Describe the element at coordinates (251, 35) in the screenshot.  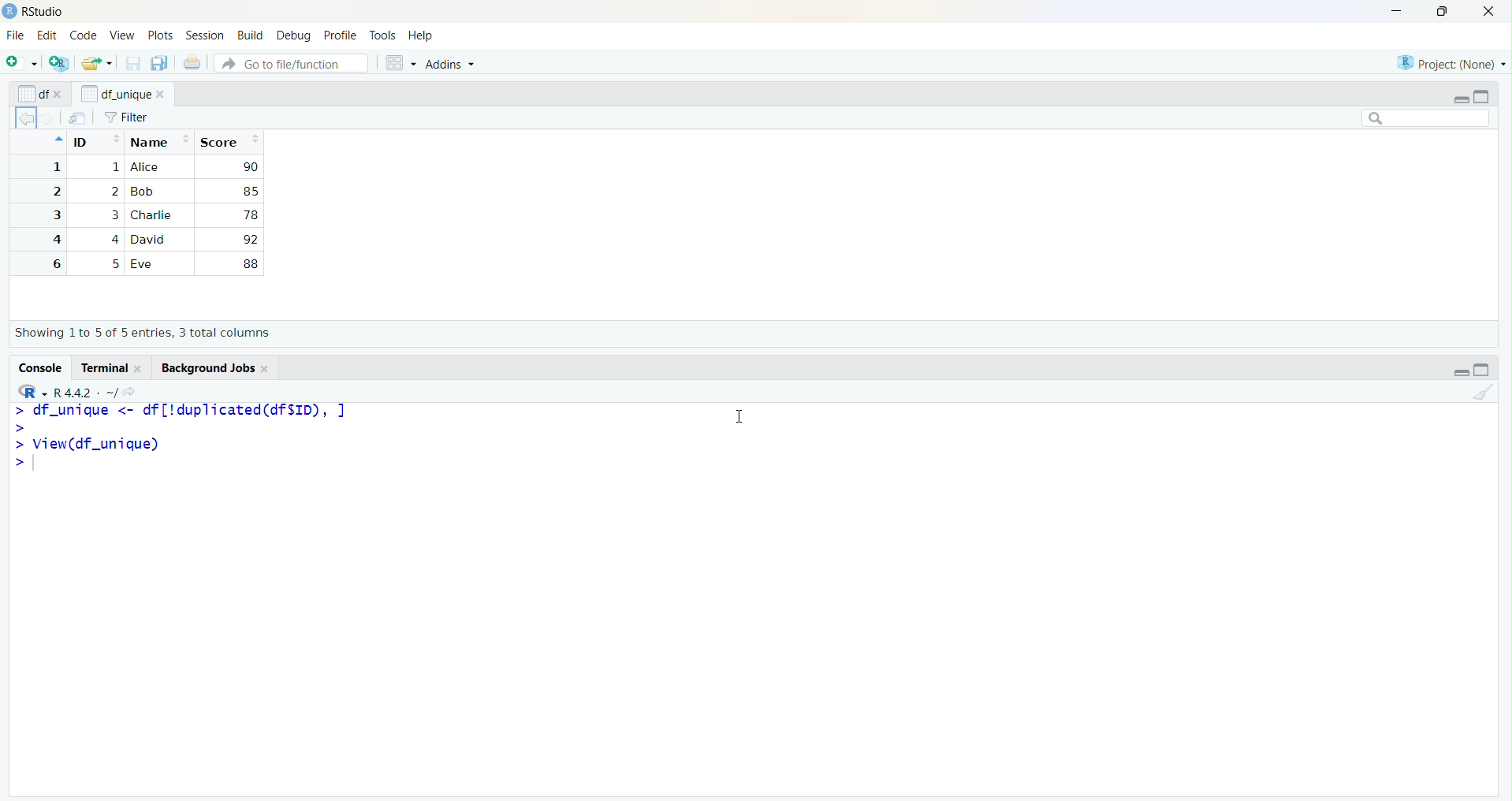
I see `Build` at that location.